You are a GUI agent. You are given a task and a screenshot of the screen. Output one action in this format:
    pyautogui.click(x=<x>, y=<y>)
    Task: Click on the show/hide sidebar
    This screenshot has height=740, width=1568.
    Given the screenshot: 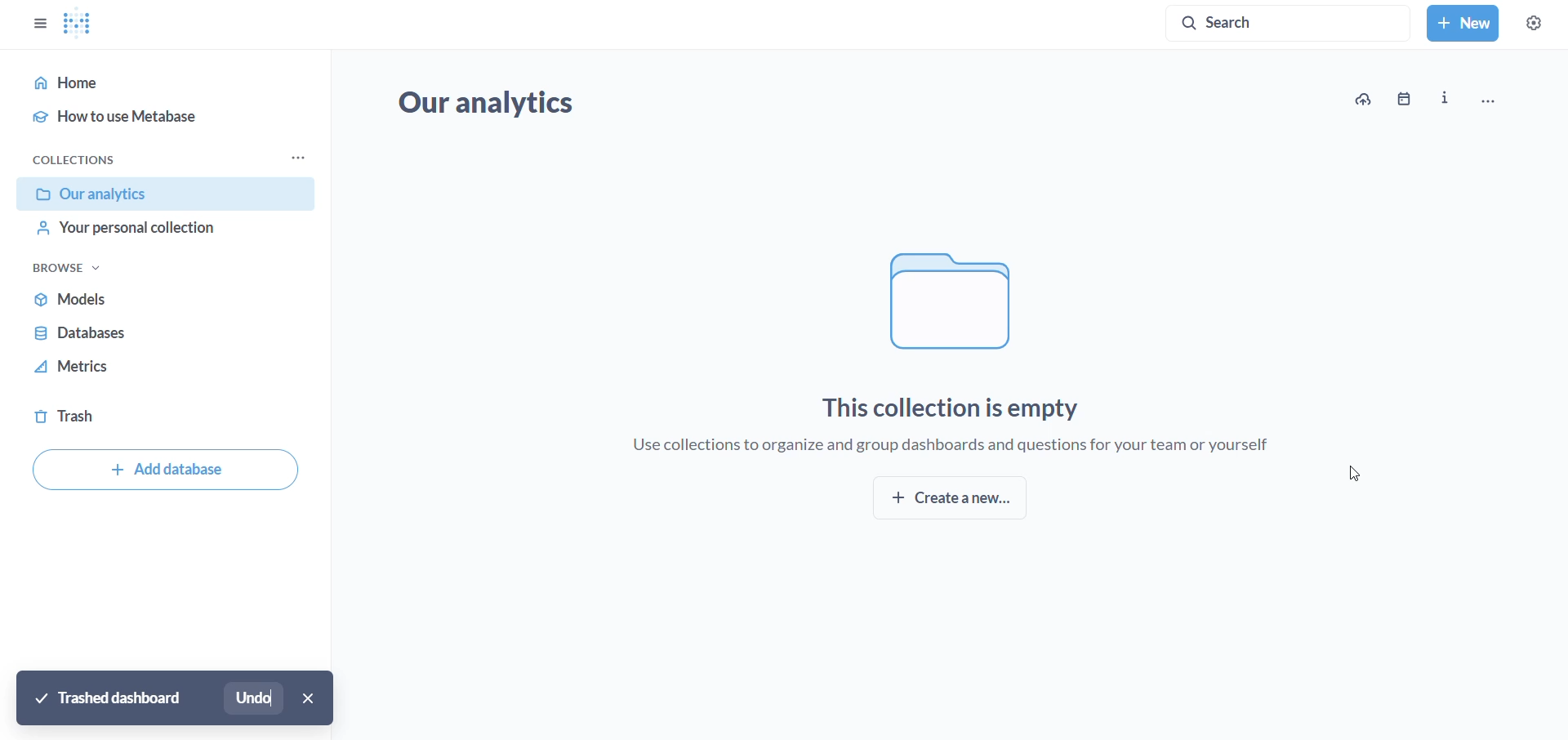 What is the action you would take?
    pyautogui.click(x=36, y=22)
    